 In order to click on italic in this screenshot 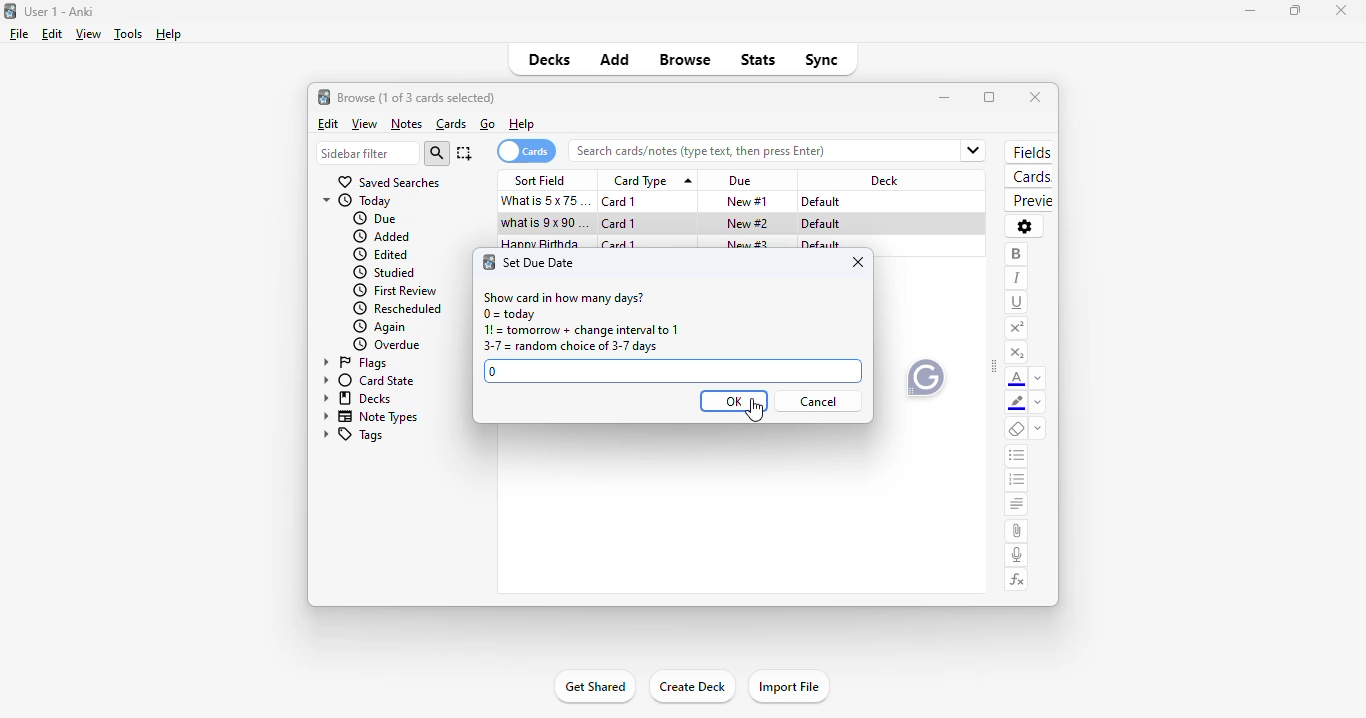, I will do `click(1015, 278)`.